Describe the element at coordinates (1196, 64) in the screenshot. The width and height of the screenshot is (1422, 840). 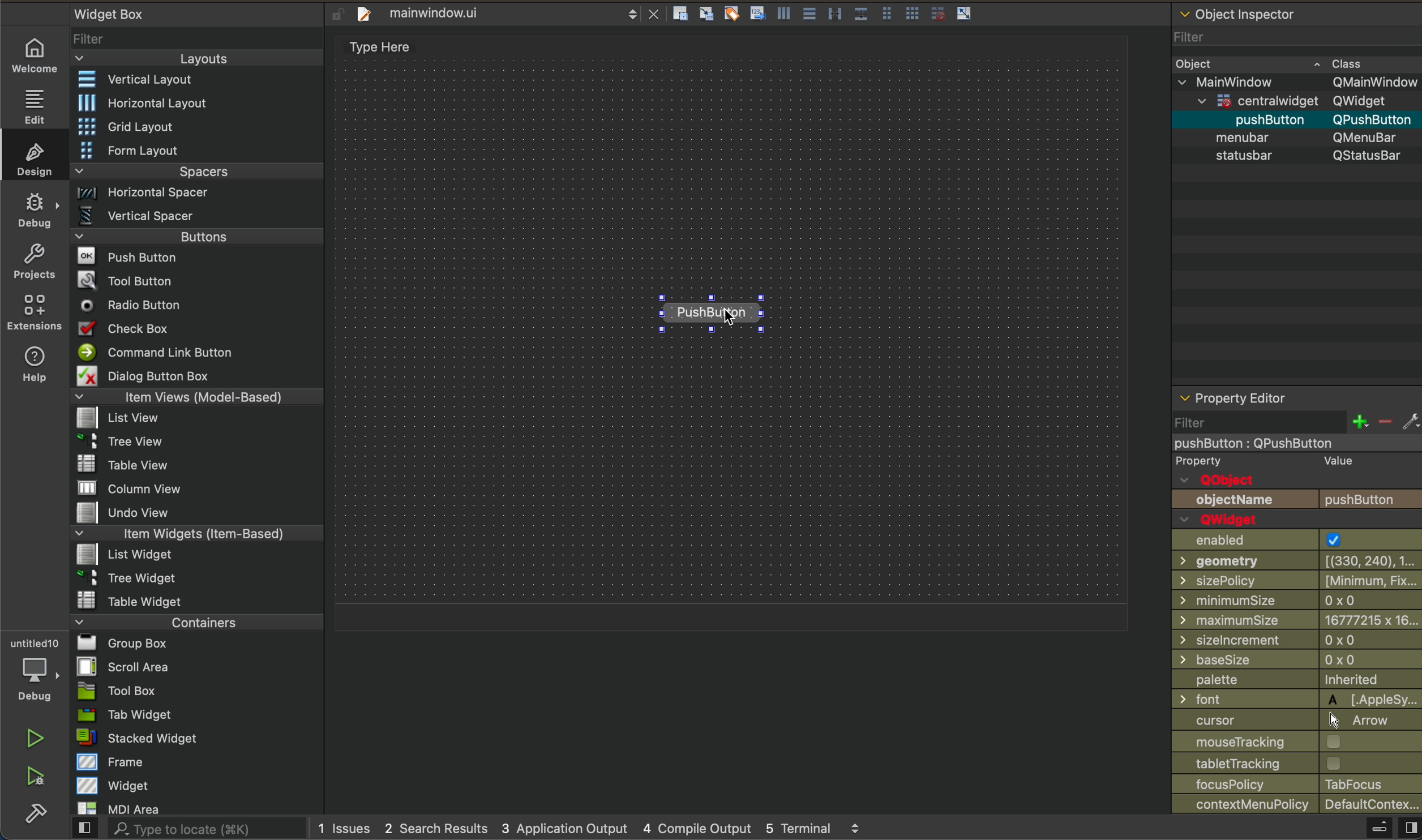
I see `Object` at that location.